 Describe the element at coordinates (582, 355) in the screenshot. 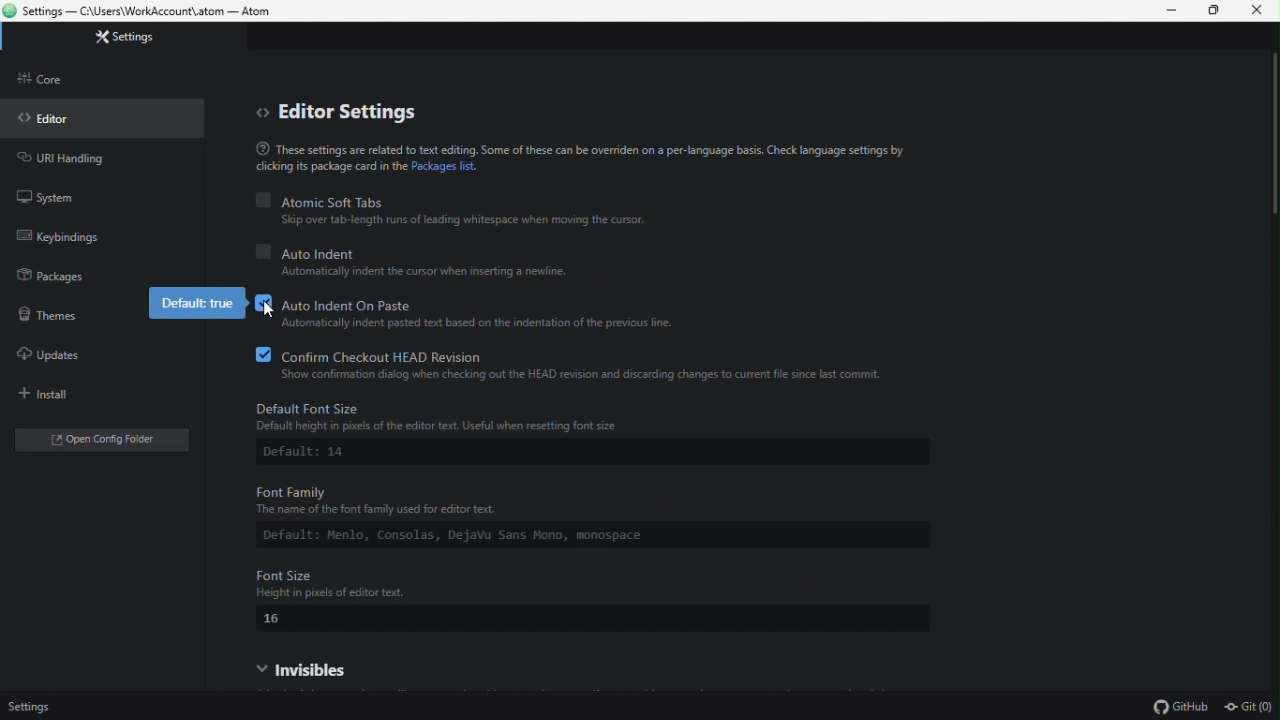

I see `Confirm check out head revision` at that location.